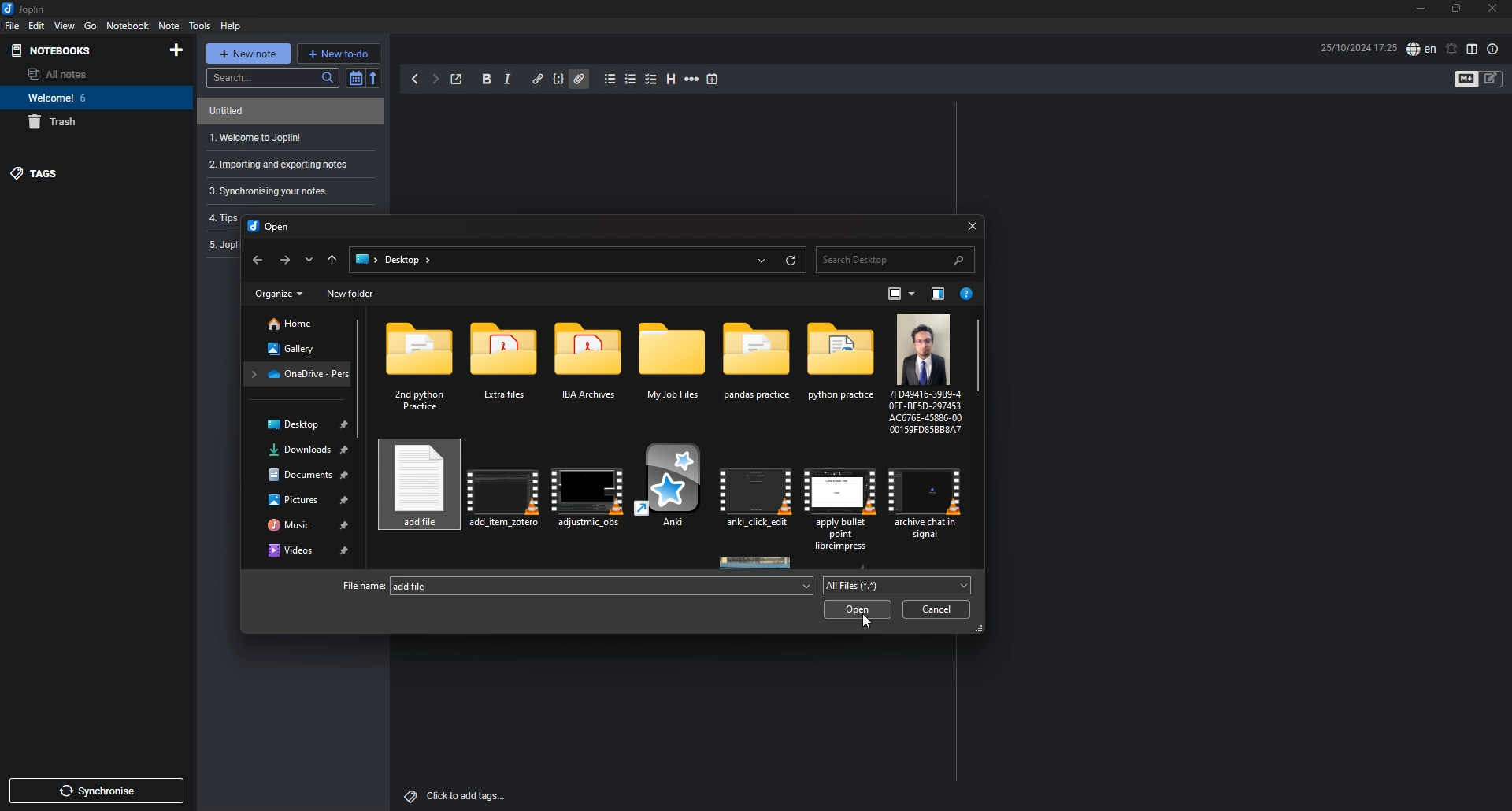  I want to click on search bar, so click(272, 78).